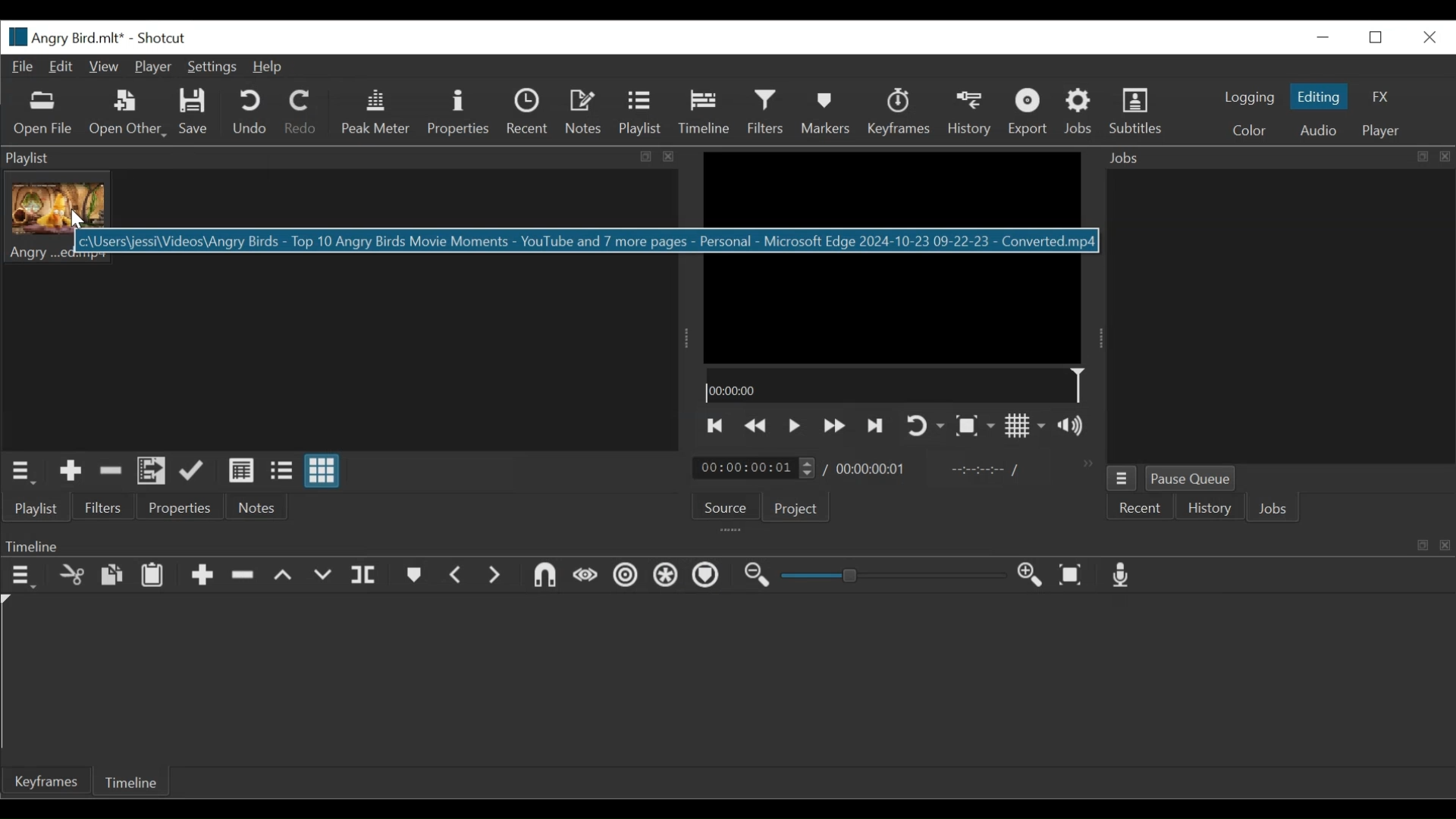 The width and height of the screenshot is (1456, 819). I want to click on Timeline, so click(706, 111).